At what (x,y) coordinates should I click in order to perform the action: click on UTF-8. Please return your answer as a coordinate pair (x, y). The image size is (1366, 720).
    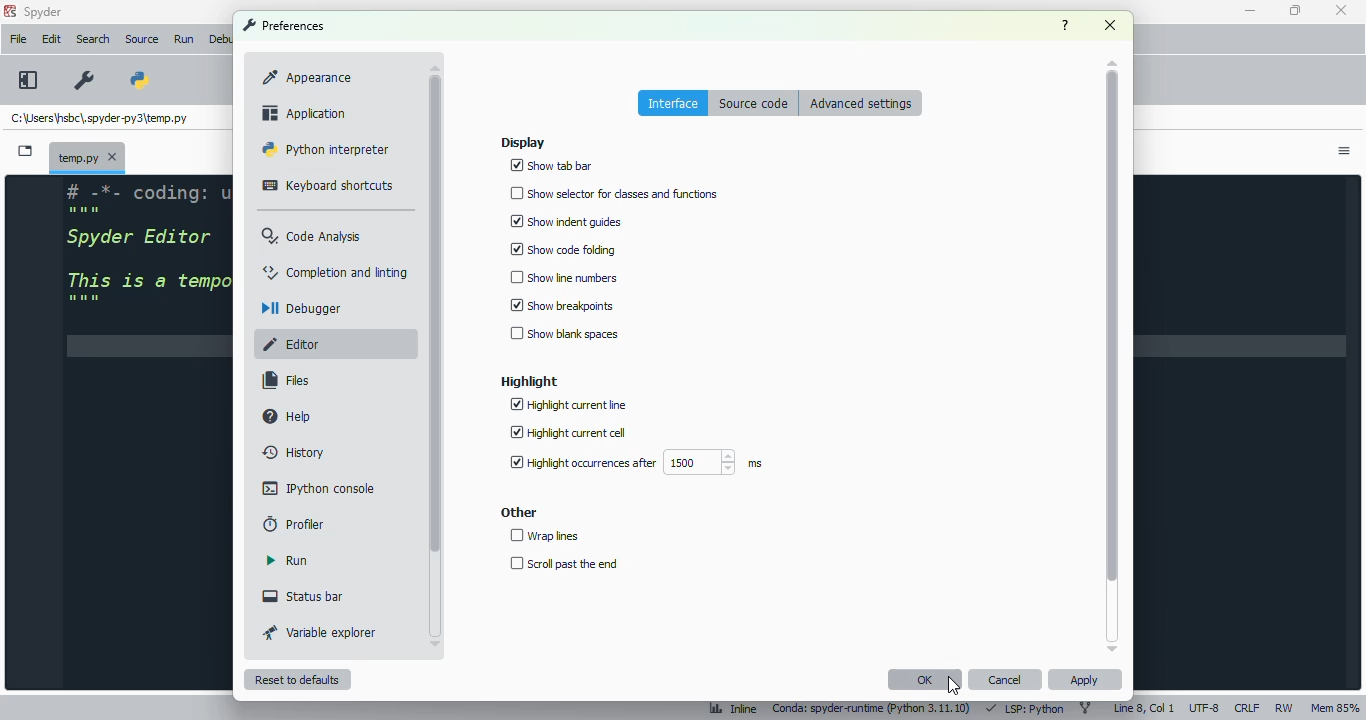
    Looking at the image, I should click on (1205, 710).